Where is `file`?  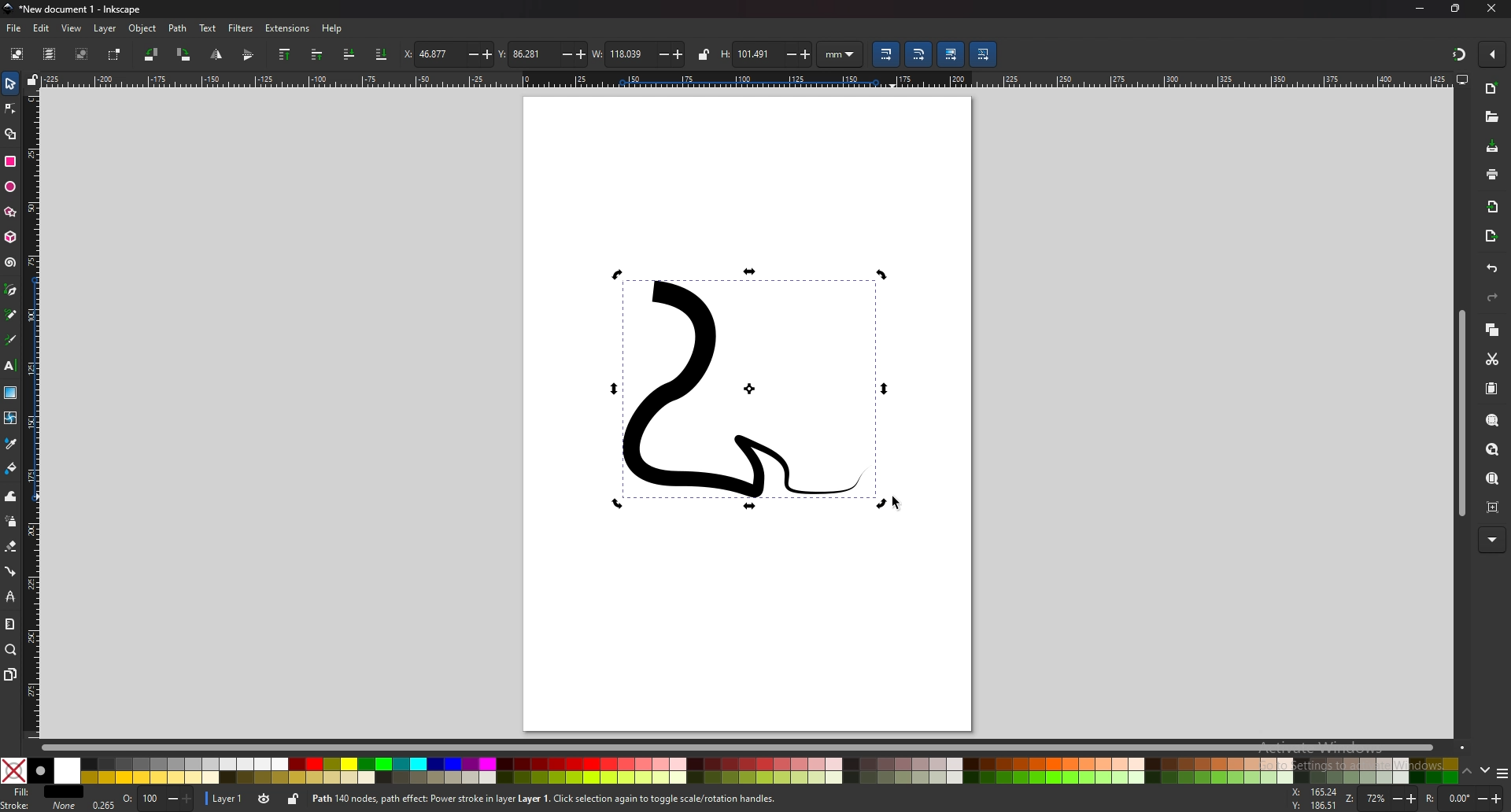
file is located at coordinates (13, 28).